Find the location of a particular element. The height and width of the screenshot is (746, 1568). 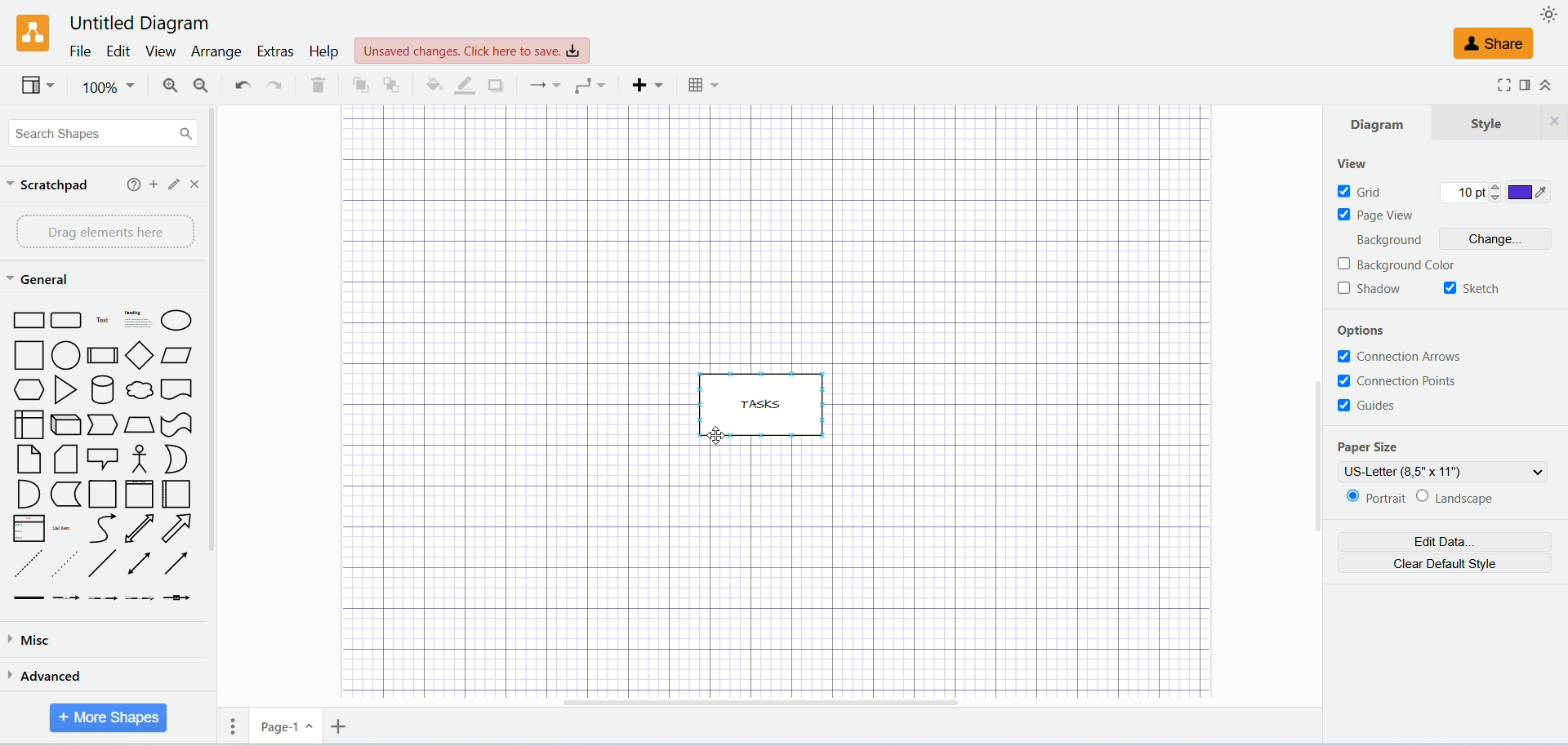

Circle is located at coordinates (67, 355).